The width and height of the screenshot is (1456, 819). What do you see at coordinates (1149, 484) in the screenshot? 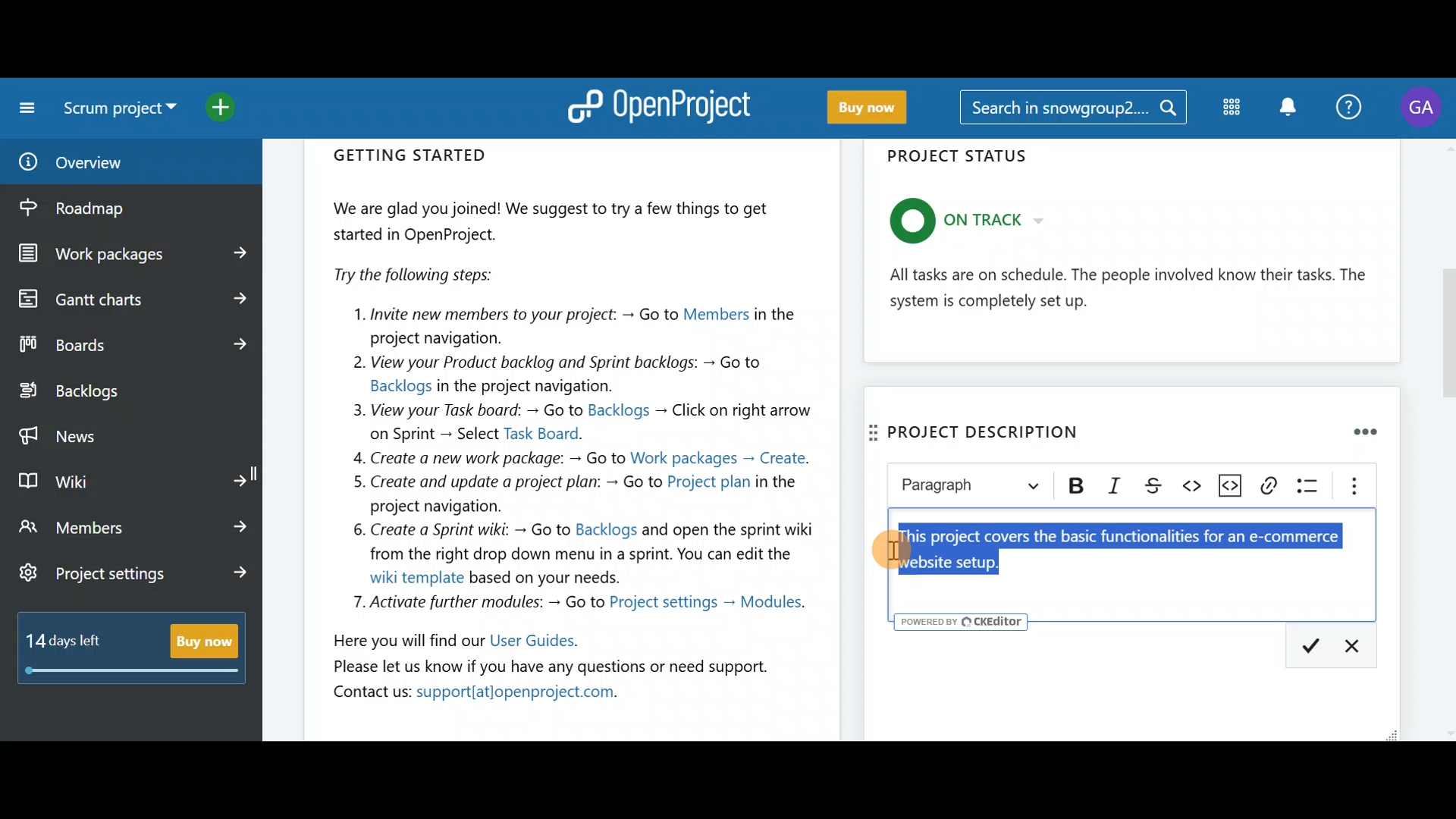
I see `Strikethrough` at bounding box center [1149, 484].